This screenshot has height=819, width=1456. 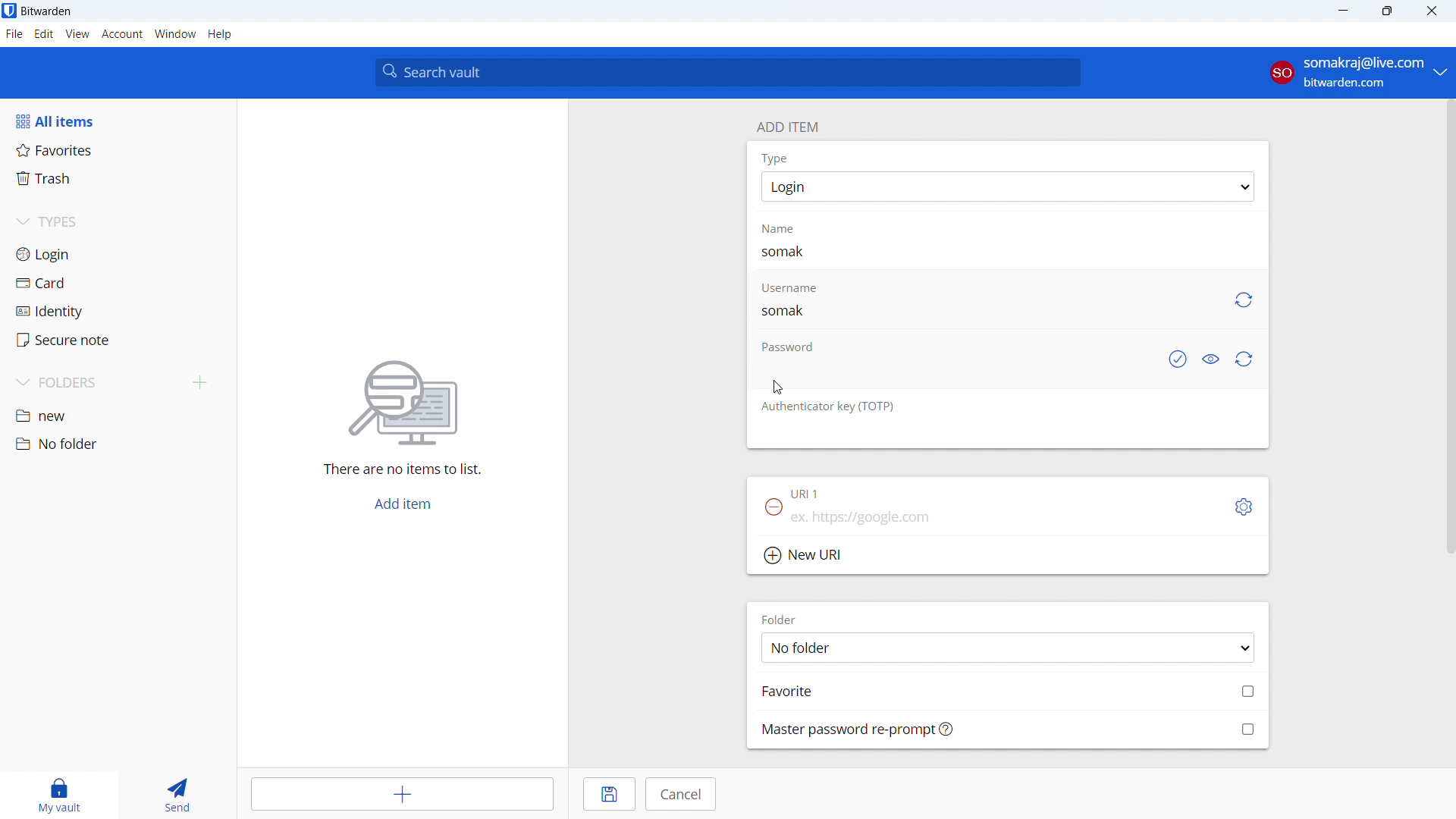 What do you see at coordinates (405, 794) in the screenshot?
I see `add item` at bounding box center [405, 794].